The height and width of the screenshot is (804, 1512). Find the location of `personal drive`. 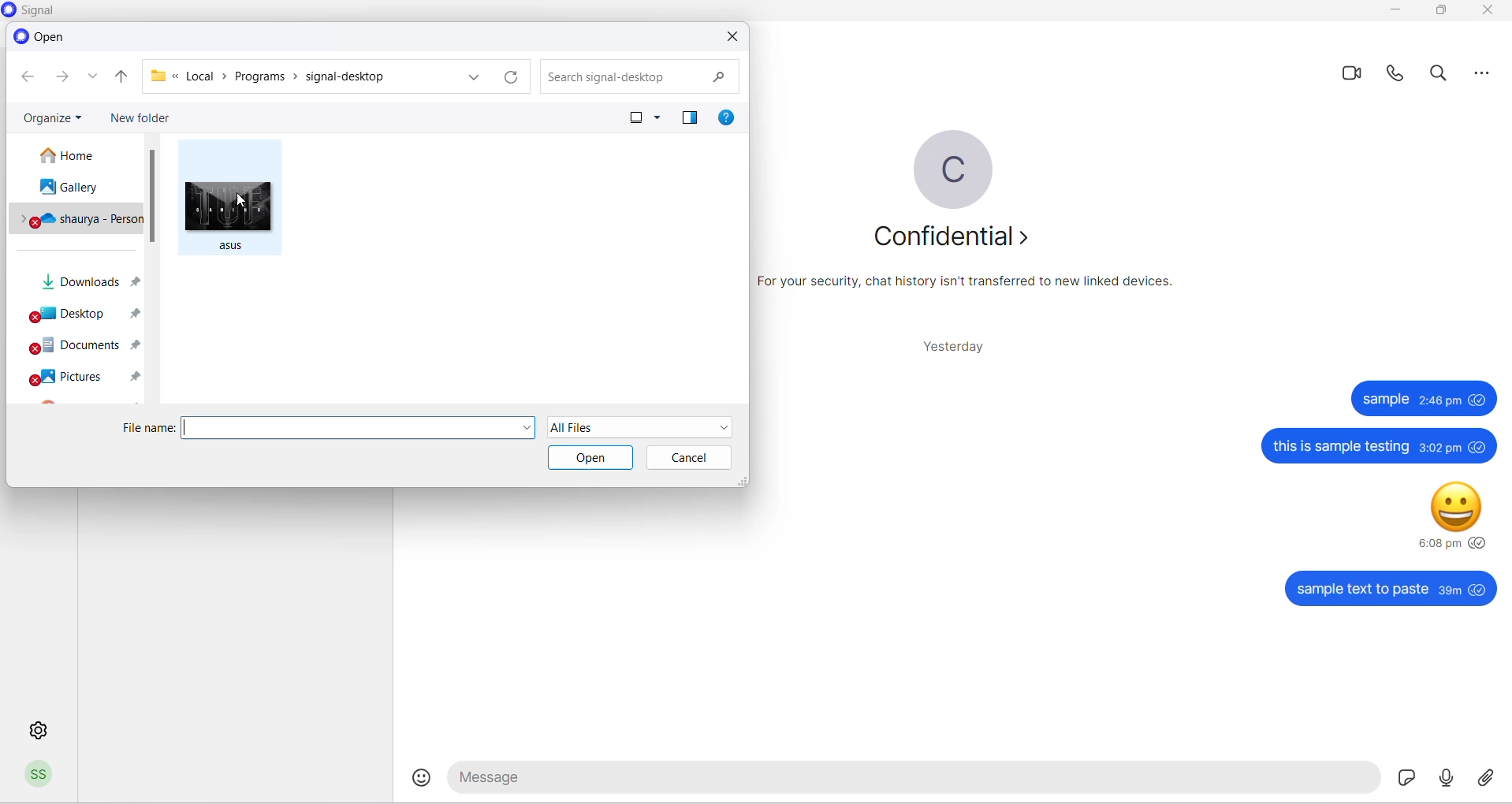

personal drive is located at coordinates (78, 220).